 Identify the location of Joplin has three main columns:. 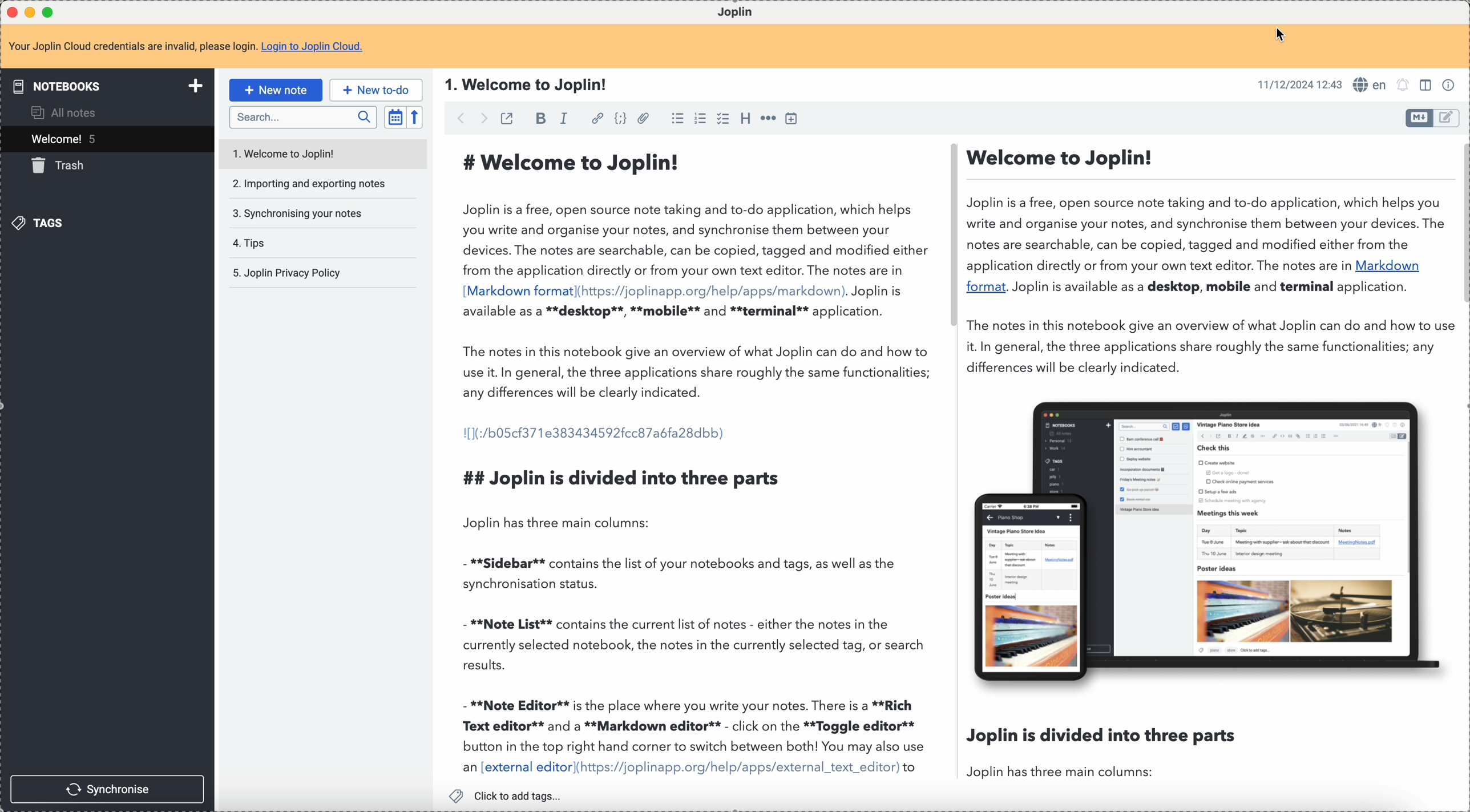
(1070, 773).